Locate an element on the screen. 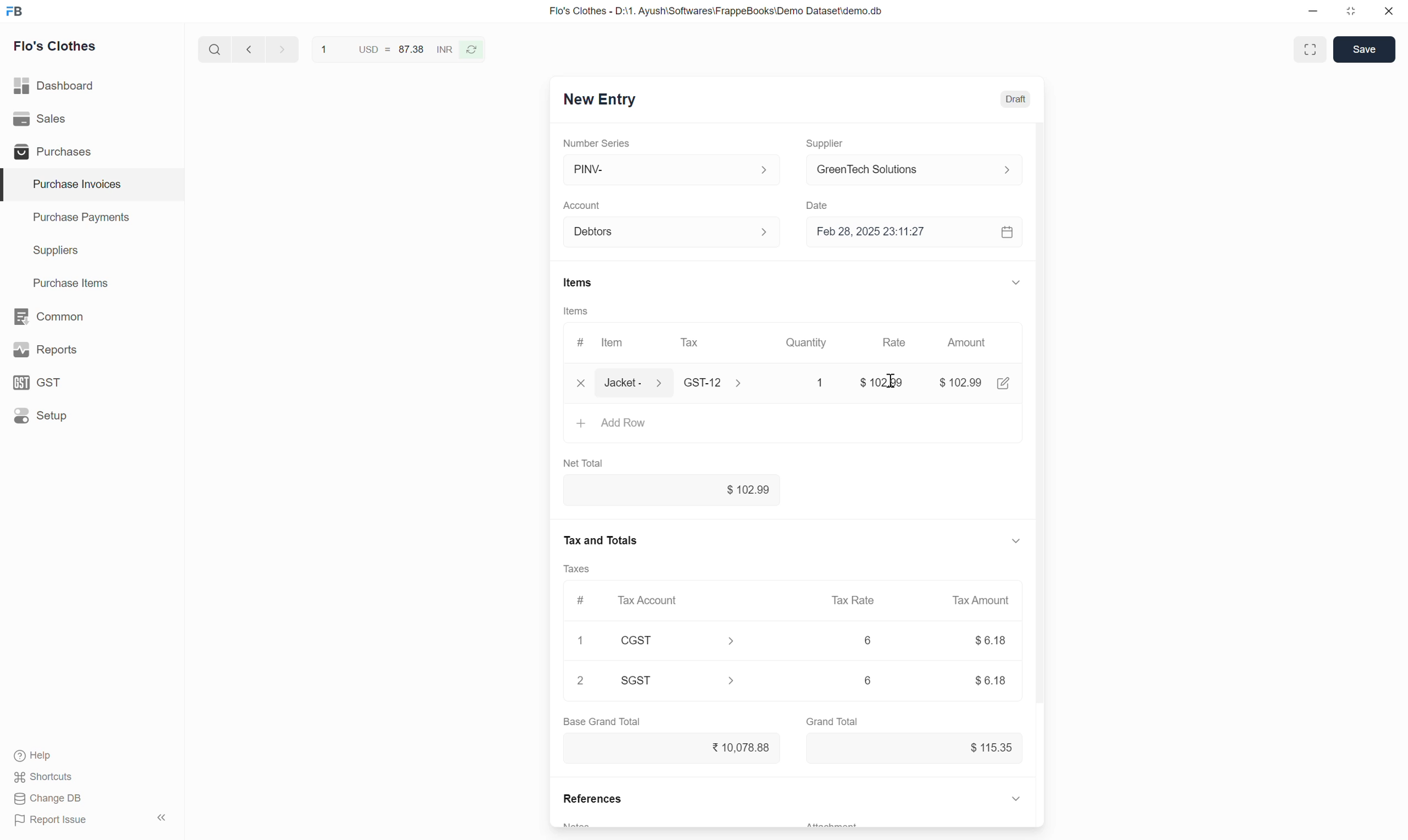 This screenshot has height=840, width=1408. Change dimension is located at coordinates (1350, 11).